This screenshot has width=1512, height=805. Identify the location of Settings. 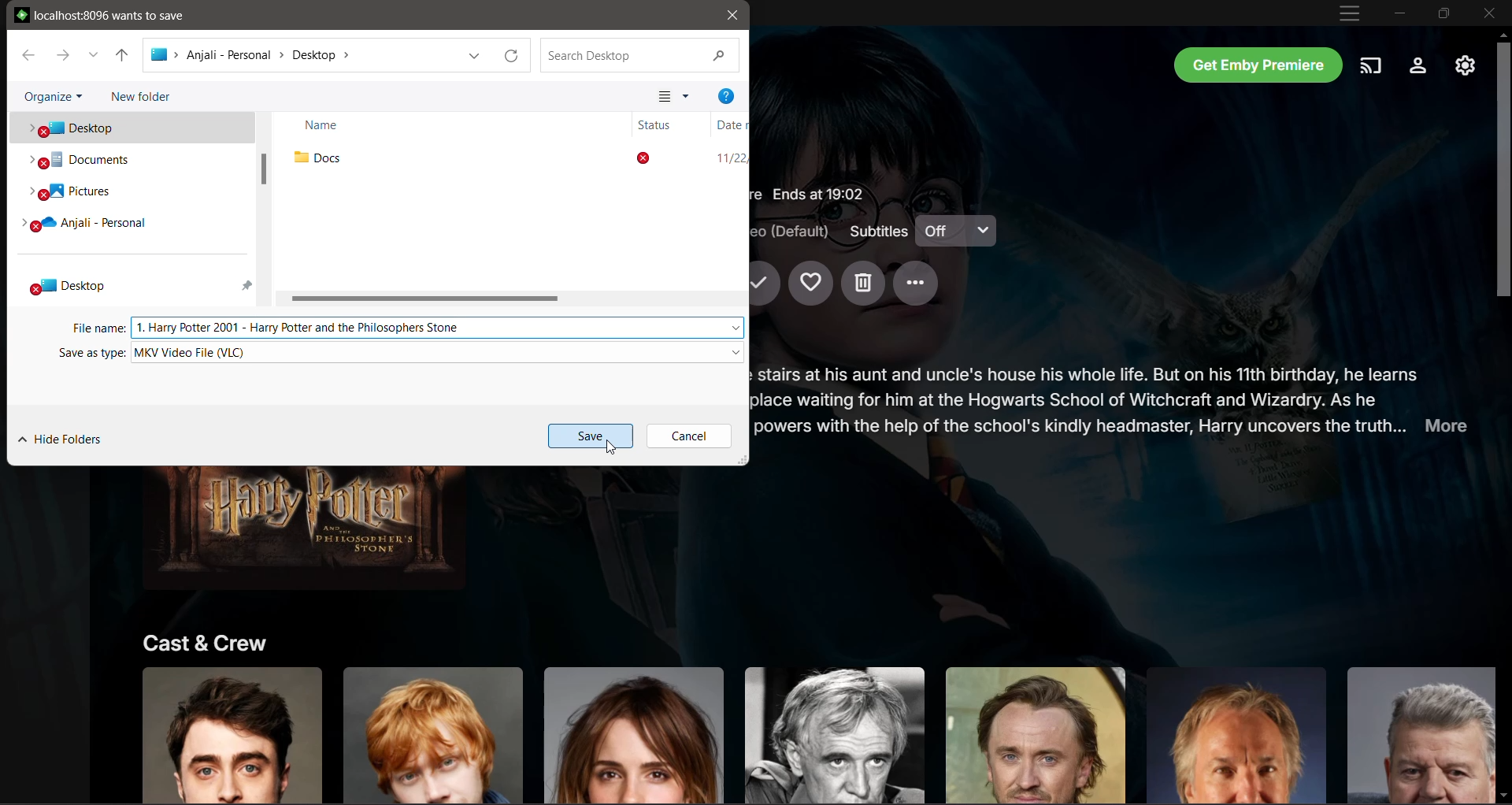
(1419, 65).